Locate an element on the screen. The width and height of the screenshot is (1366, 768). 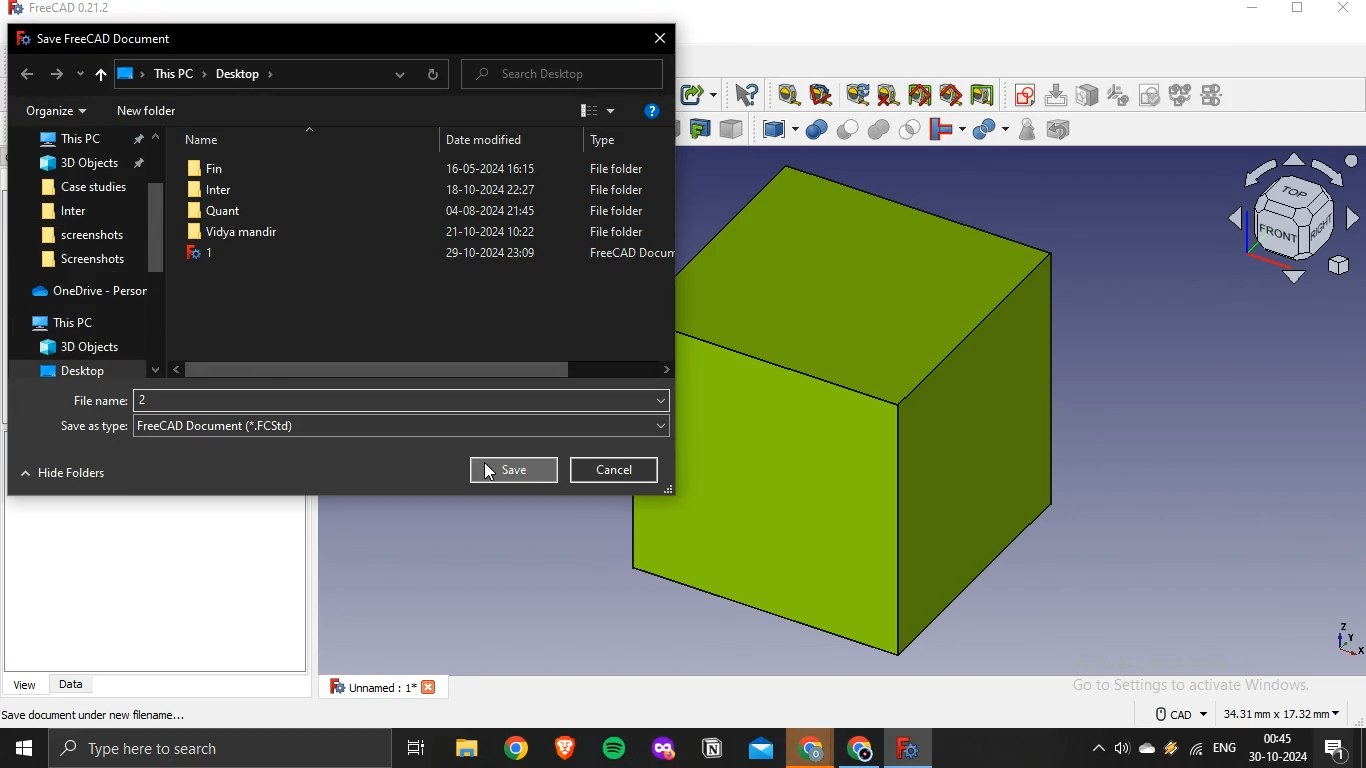
show hidden icons  is located at coordinates (1095, 748).